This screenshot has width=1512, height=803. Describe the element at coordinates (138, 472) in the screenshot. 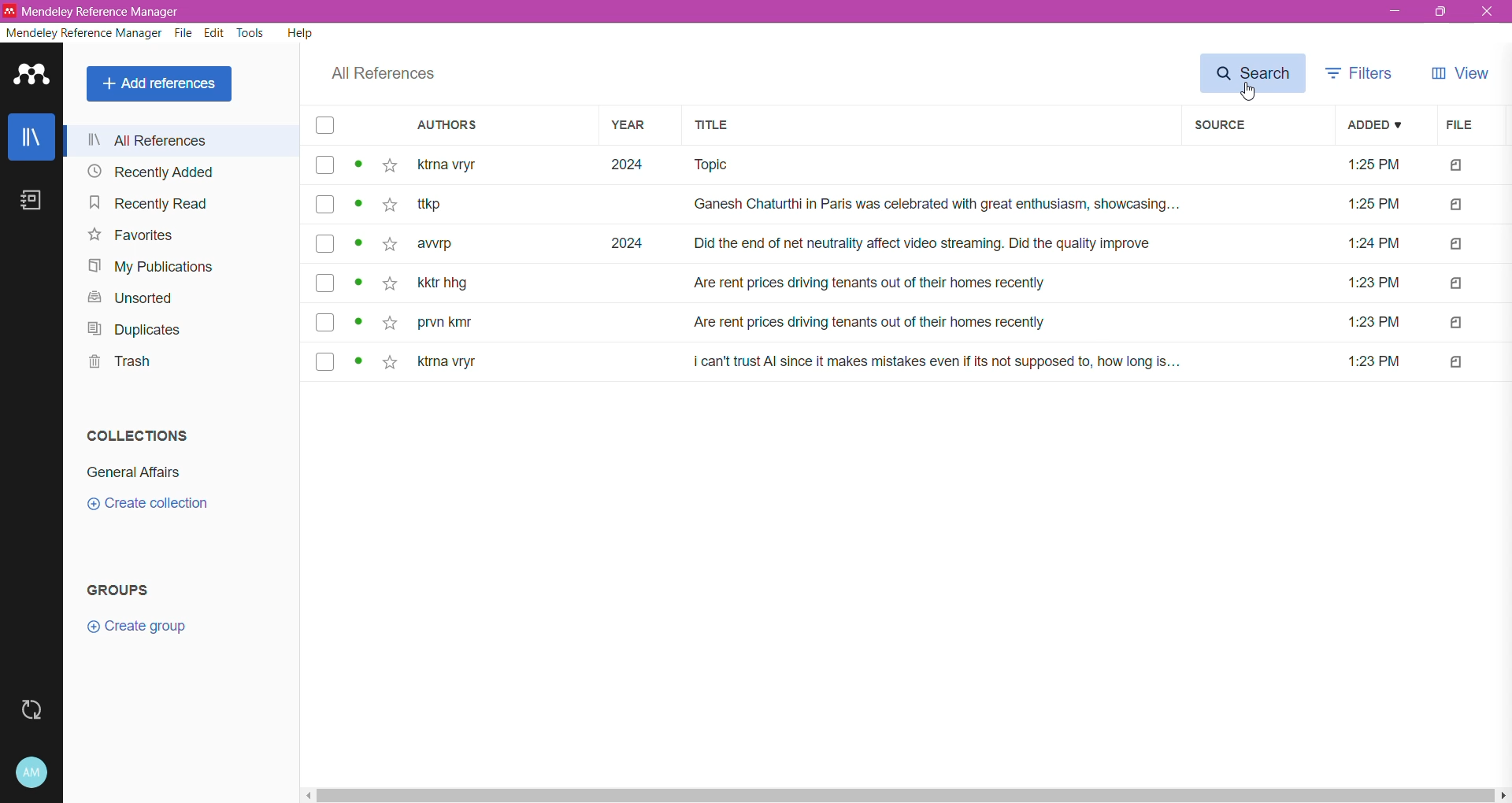

I see `Collection Name` at that location.